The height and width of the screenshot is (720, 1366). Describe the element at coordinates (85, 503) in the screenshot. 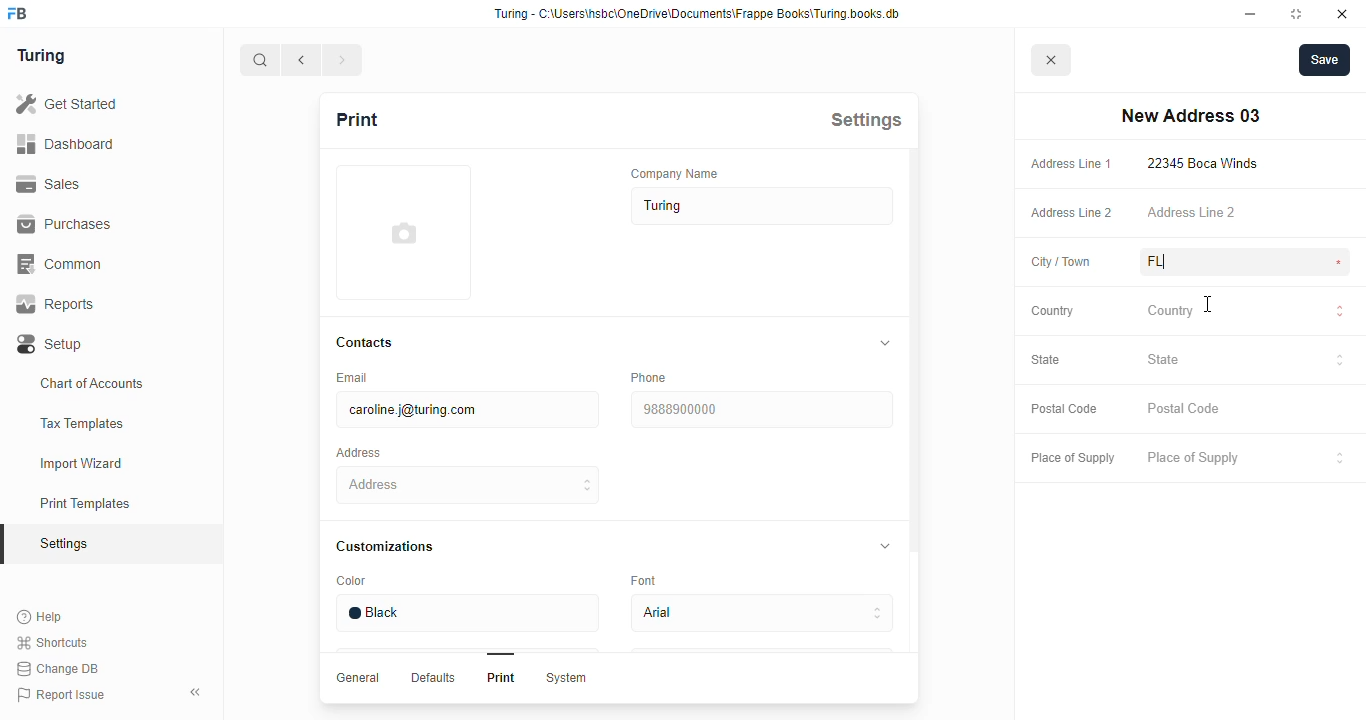

I see `print templates` at that location.